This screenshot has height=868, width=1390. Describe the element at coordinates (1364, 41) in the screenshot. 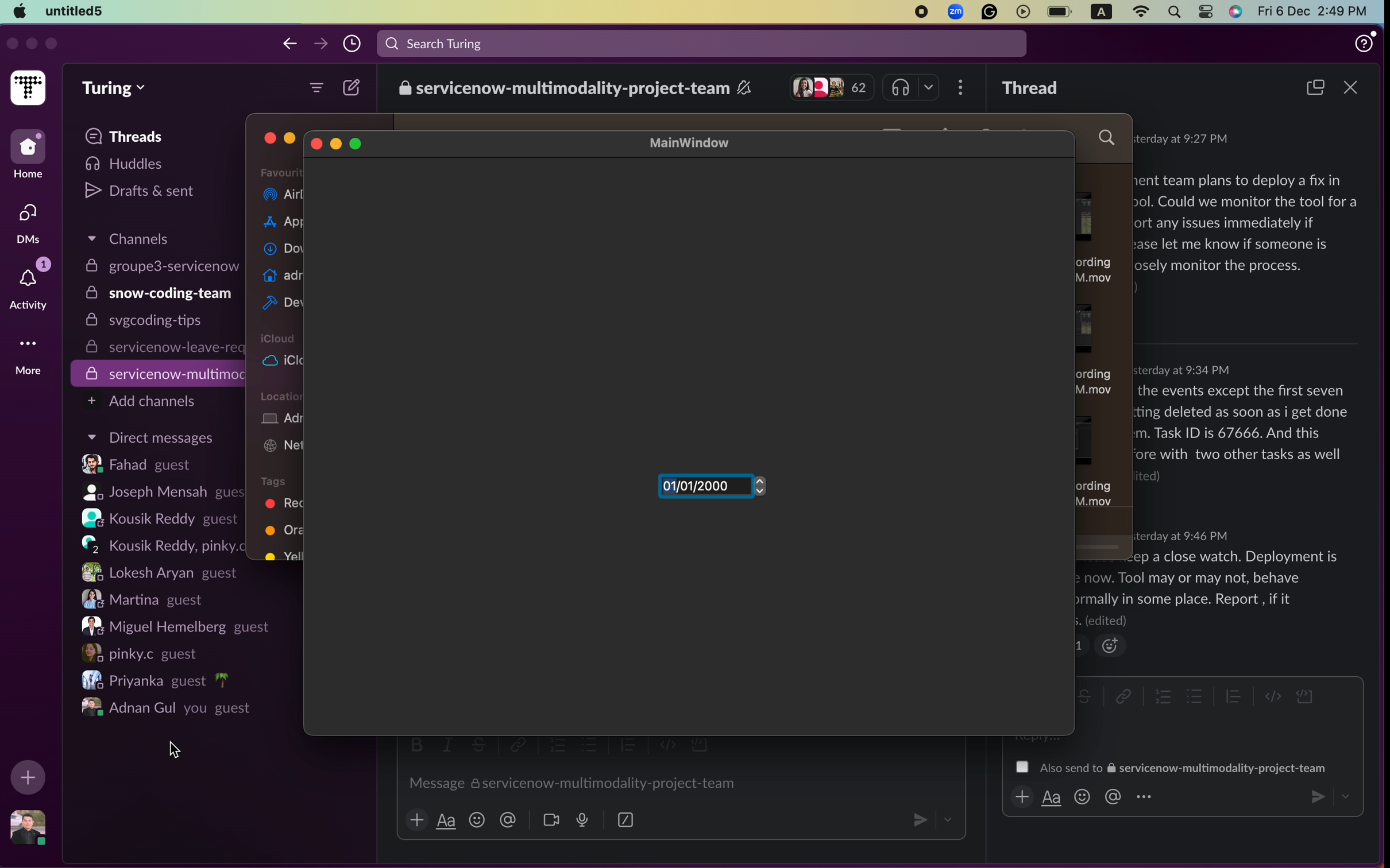

I see `help` at that location.